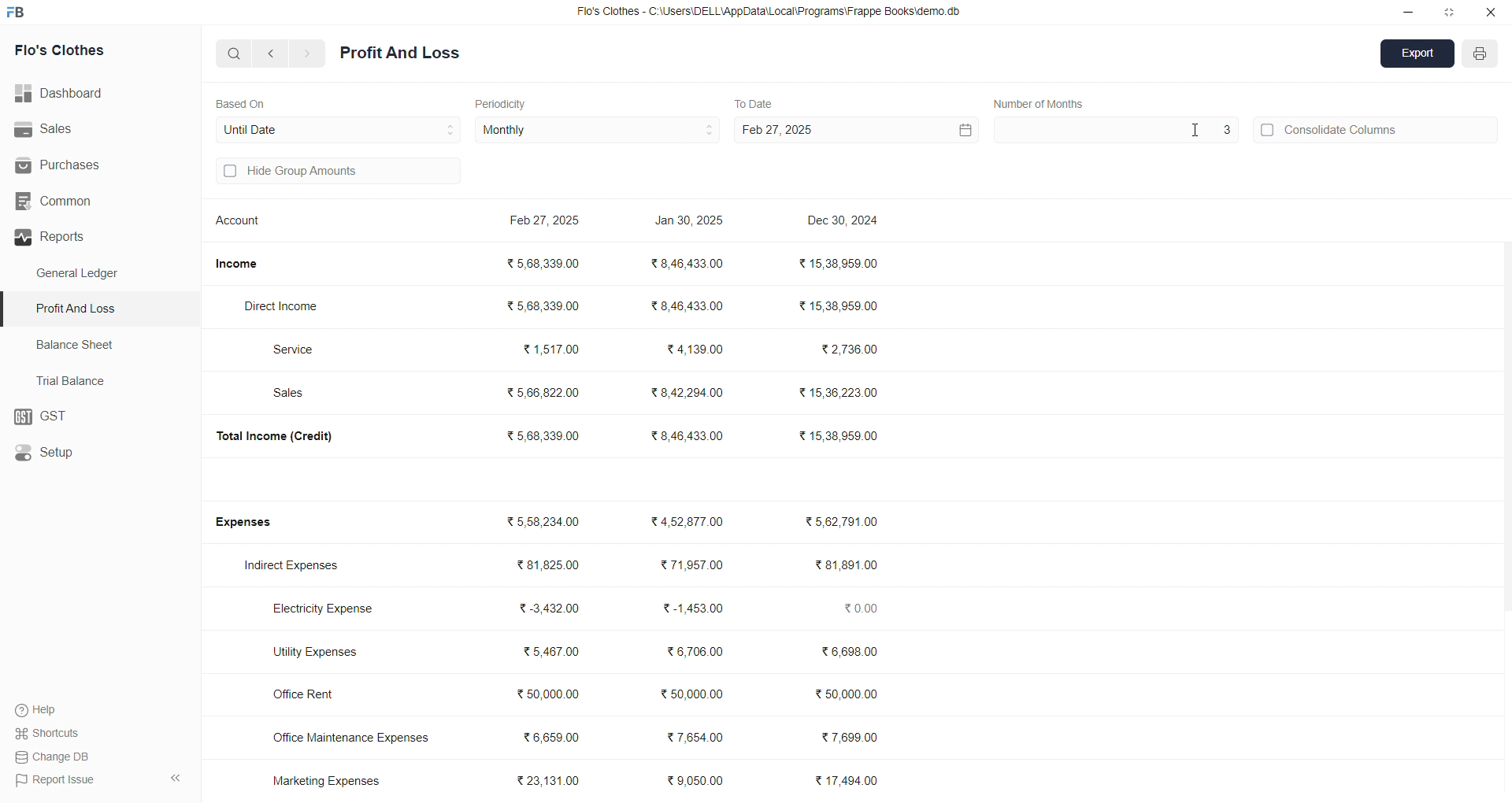 The image size is (1512, 803). Describe the element at coordinates (80, 51) in the screenshot. I see `Flo's Clothes` at that location.